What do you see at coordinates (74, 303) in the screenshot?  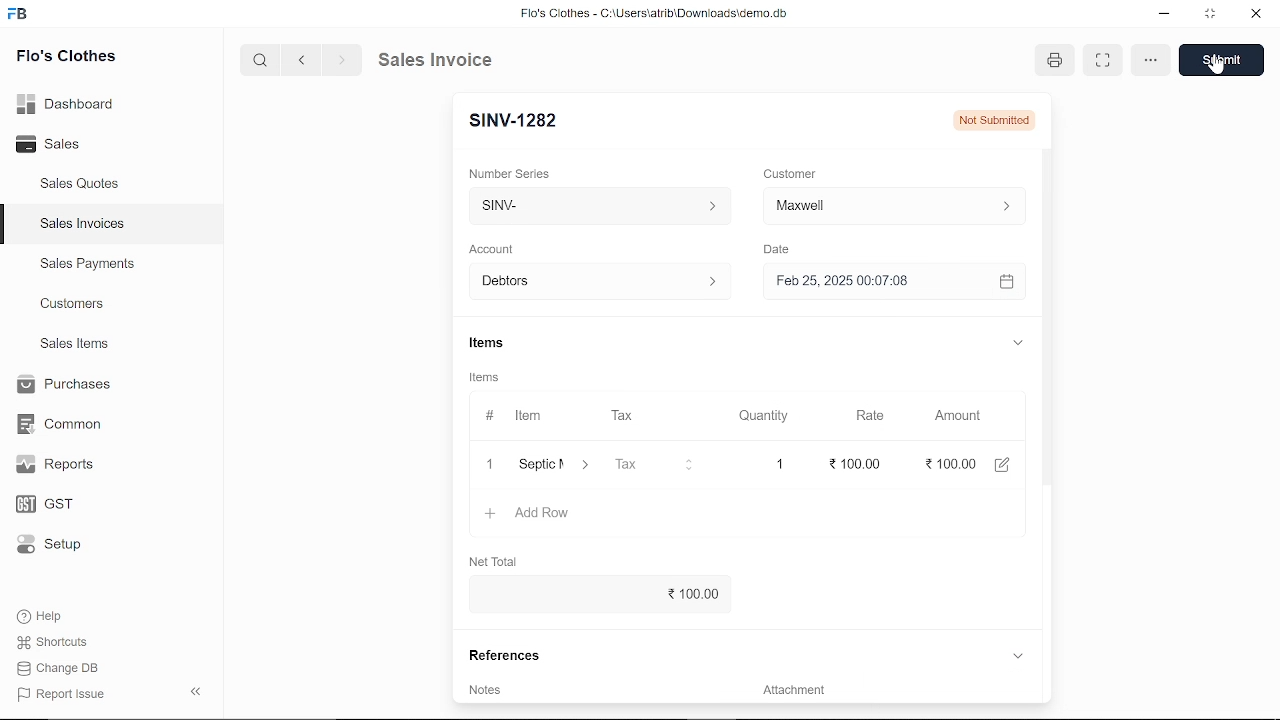 I see `Customers` at bounding box center [74, 303].